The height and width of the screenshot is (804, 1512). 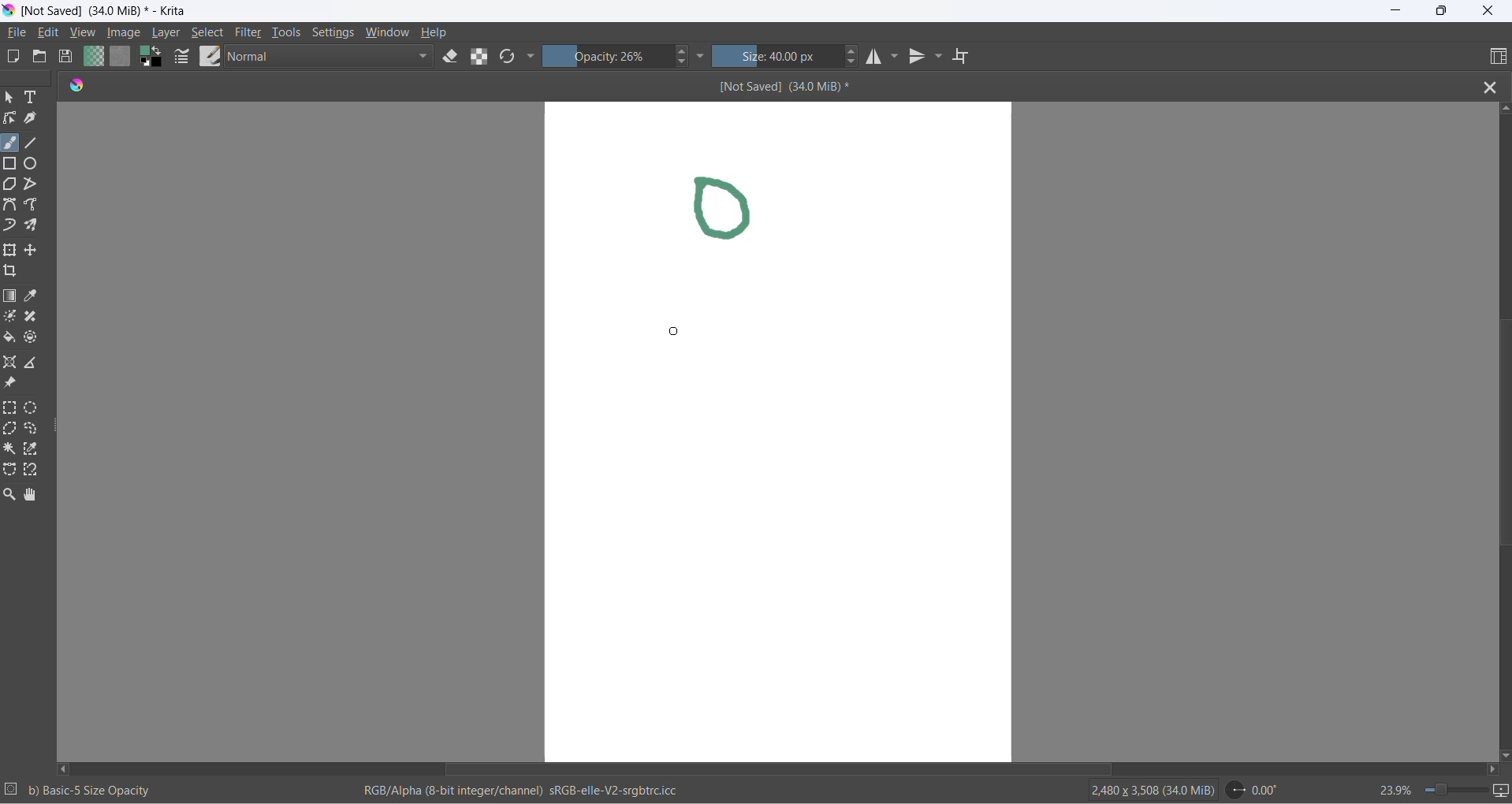 I want to click on help, so click(x=437, y=32).